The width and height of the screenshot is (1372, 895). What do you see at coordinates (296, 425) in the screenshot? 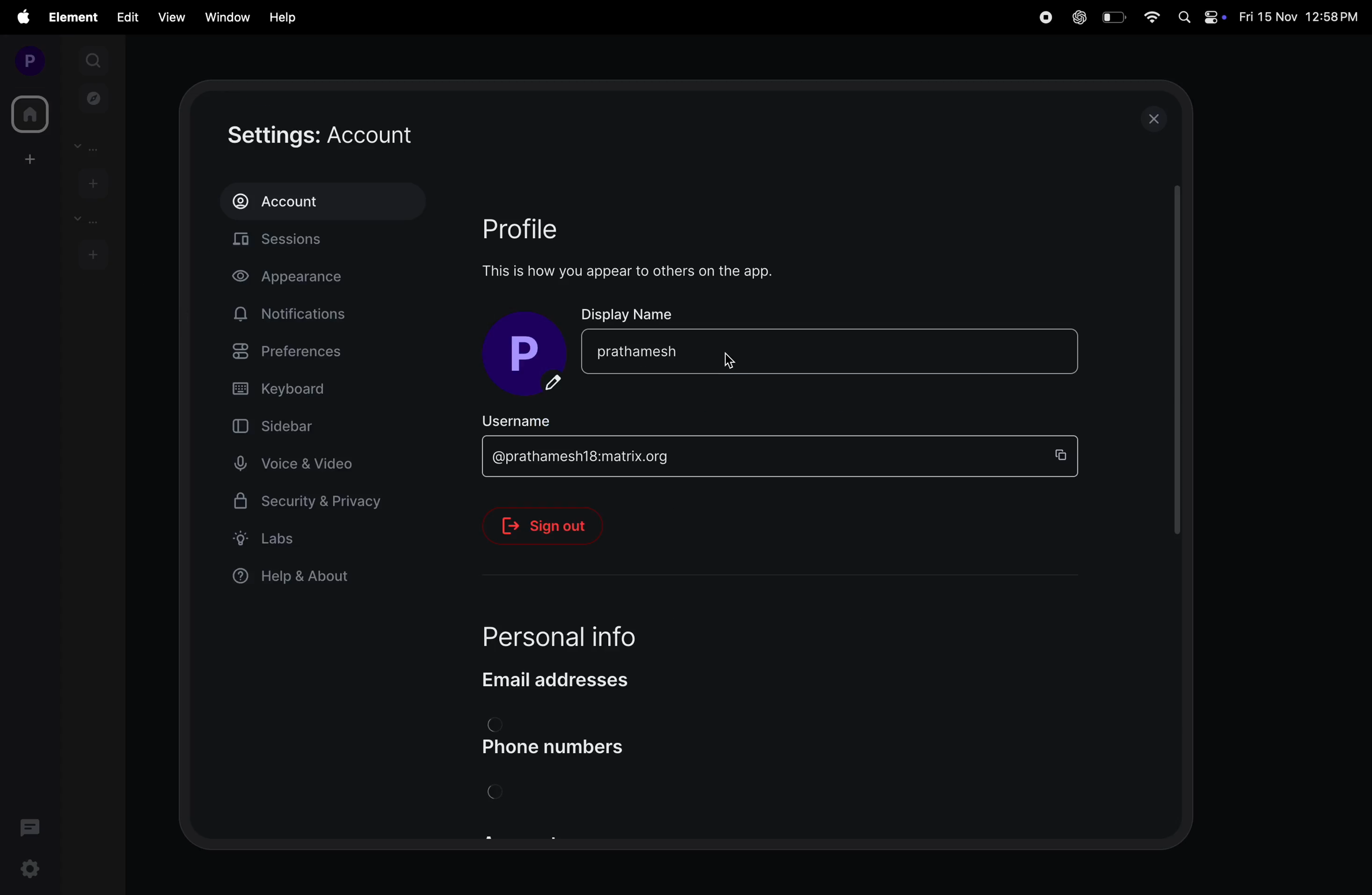
I see `sidebar` at bounding box center [296, 425].